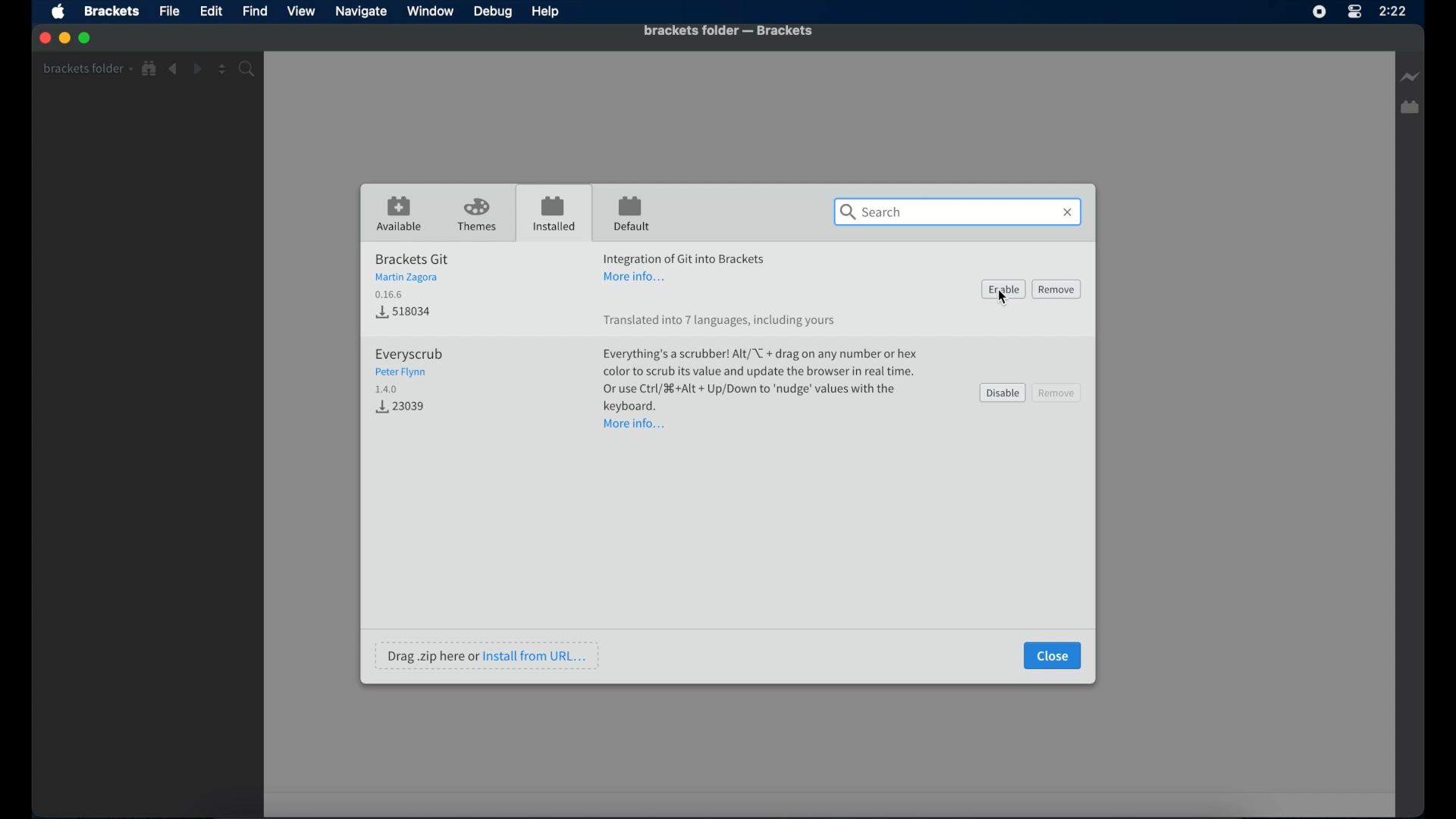  What do you see at coordinates (728, 30) in the screenshot?
I see `brackets folder - brackets` at bounding box center [728, 30].